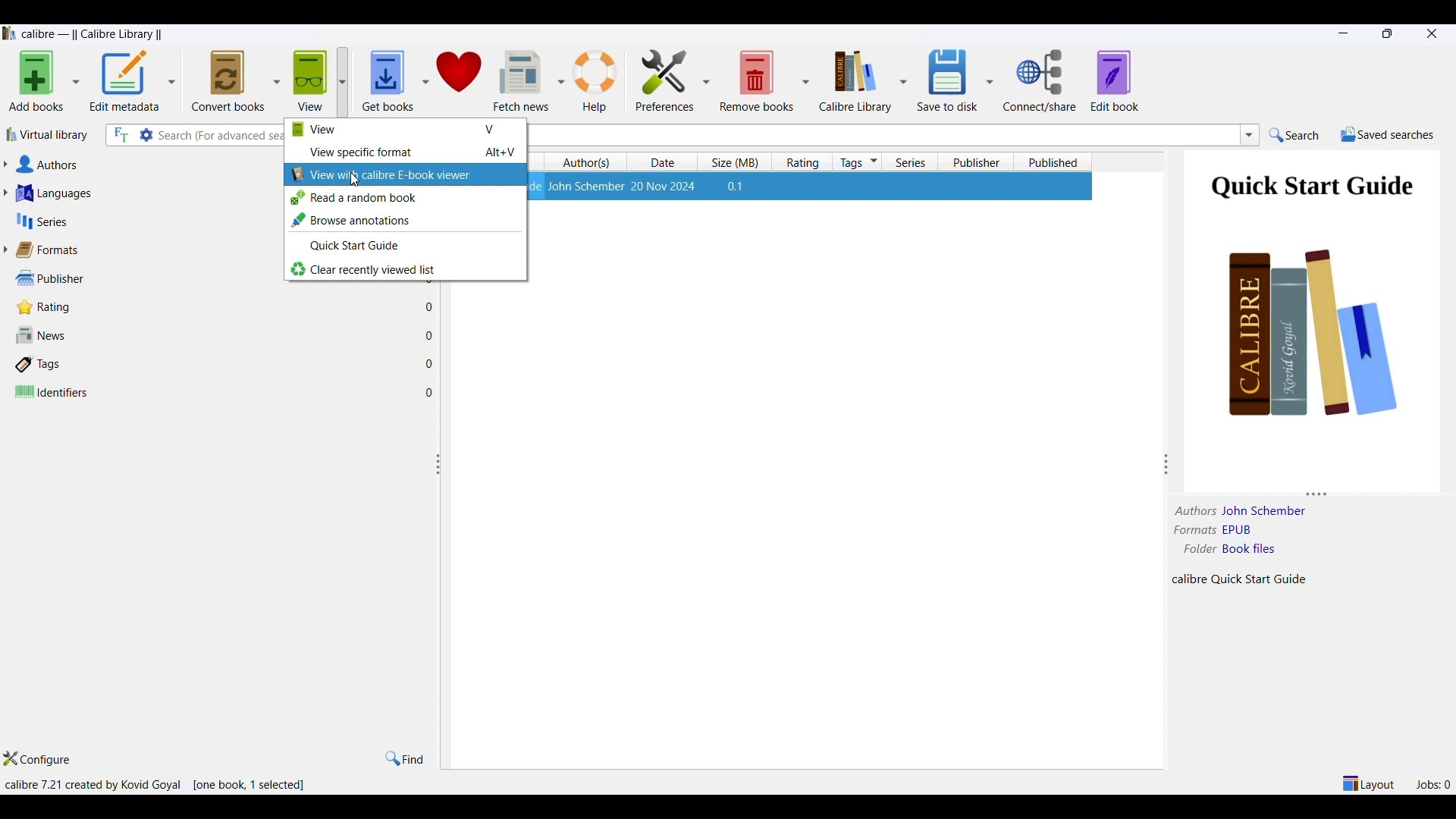  Describe the element at coordinates (1053, 161) in the screenshot. I see `published` at that location.